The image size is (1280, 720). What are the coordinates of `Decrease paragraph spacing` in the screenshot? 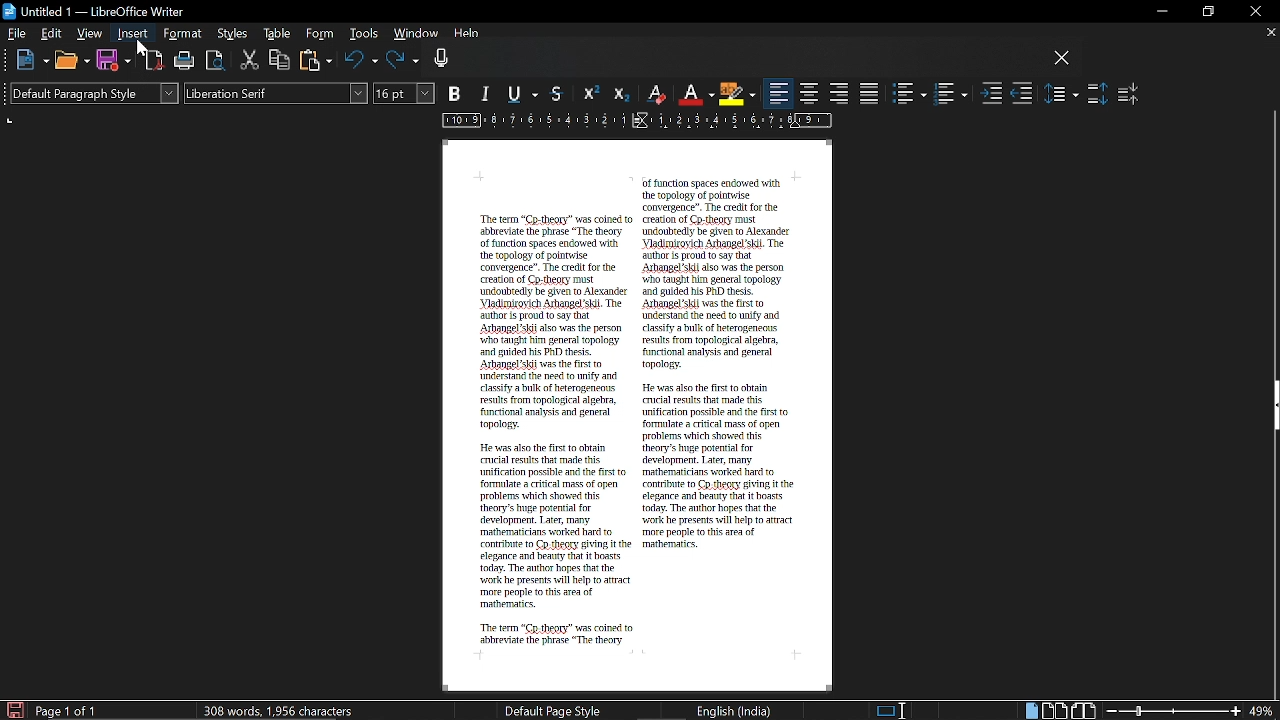 It's located at (1129, 93).